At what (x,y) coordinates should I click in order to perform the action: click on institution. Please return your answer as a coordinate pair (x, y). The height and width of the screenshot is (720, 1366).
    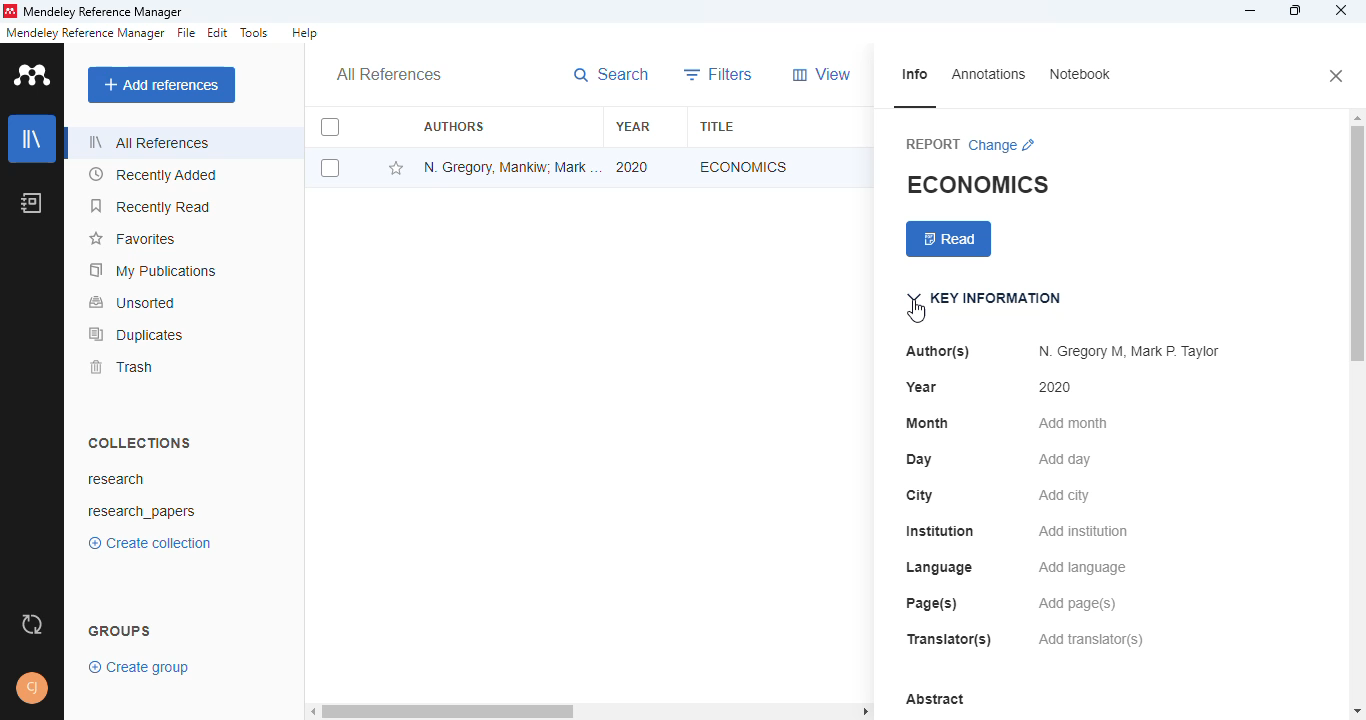
    Looking at the image, I should click on (939, 531).